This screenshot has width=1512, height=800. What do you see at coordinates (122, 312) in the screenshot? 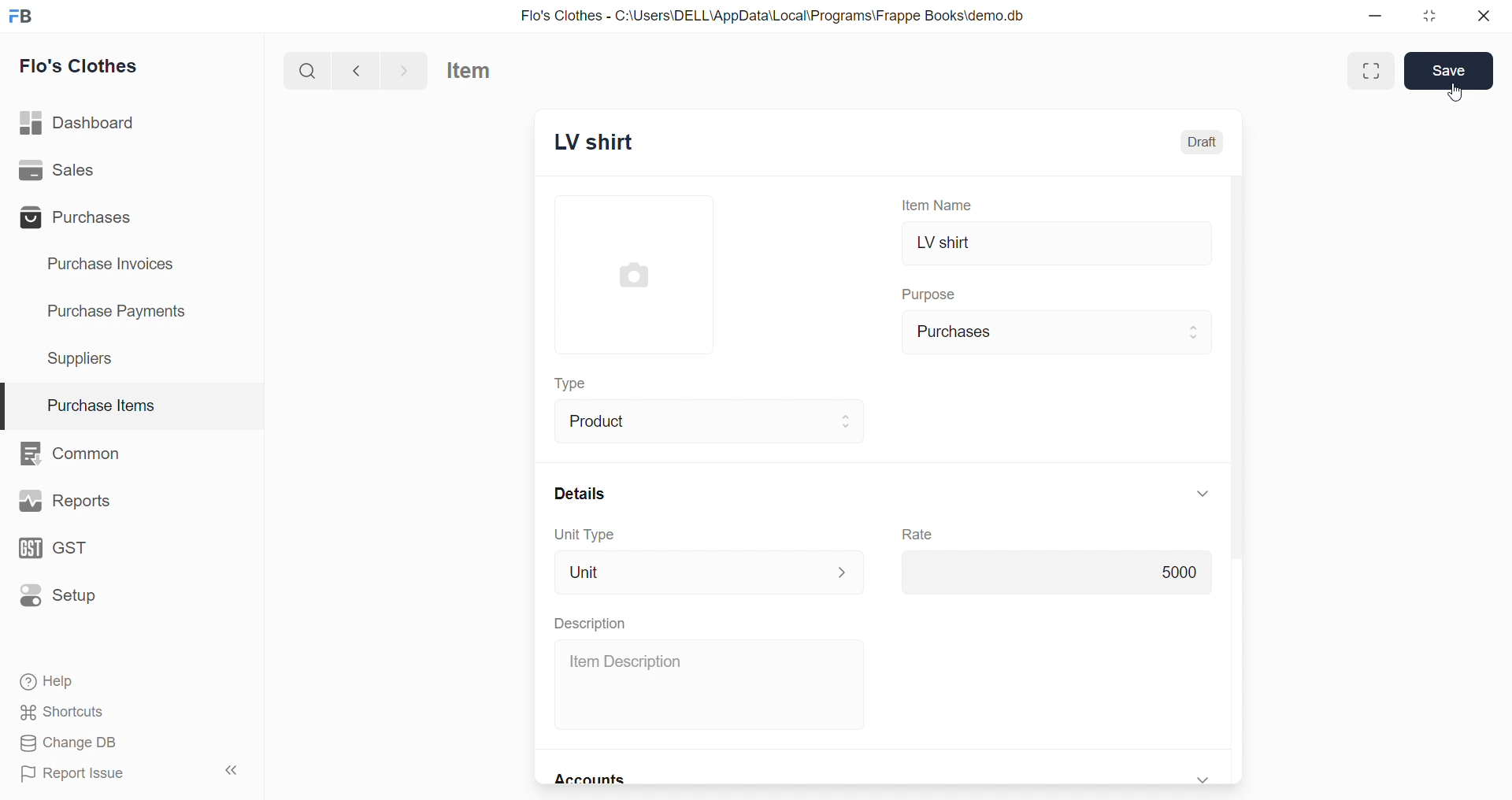
I see `Purchase Payments` at bounding box center [122, 312].